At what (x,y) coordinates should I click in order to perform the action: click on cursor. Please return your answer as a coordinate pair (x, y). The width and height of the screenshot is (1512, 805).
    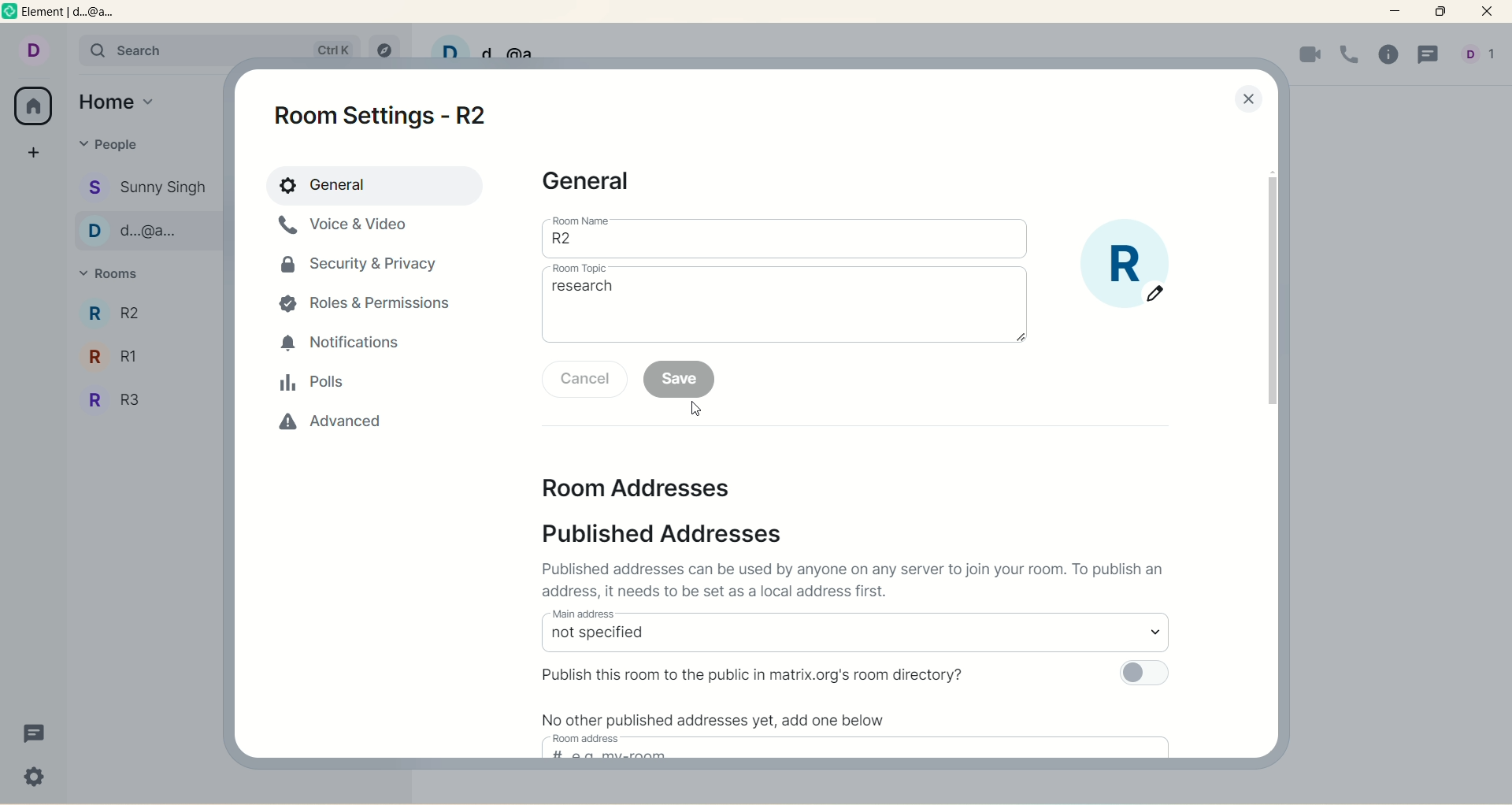
    Looking at the image, I should click on (695, 408).